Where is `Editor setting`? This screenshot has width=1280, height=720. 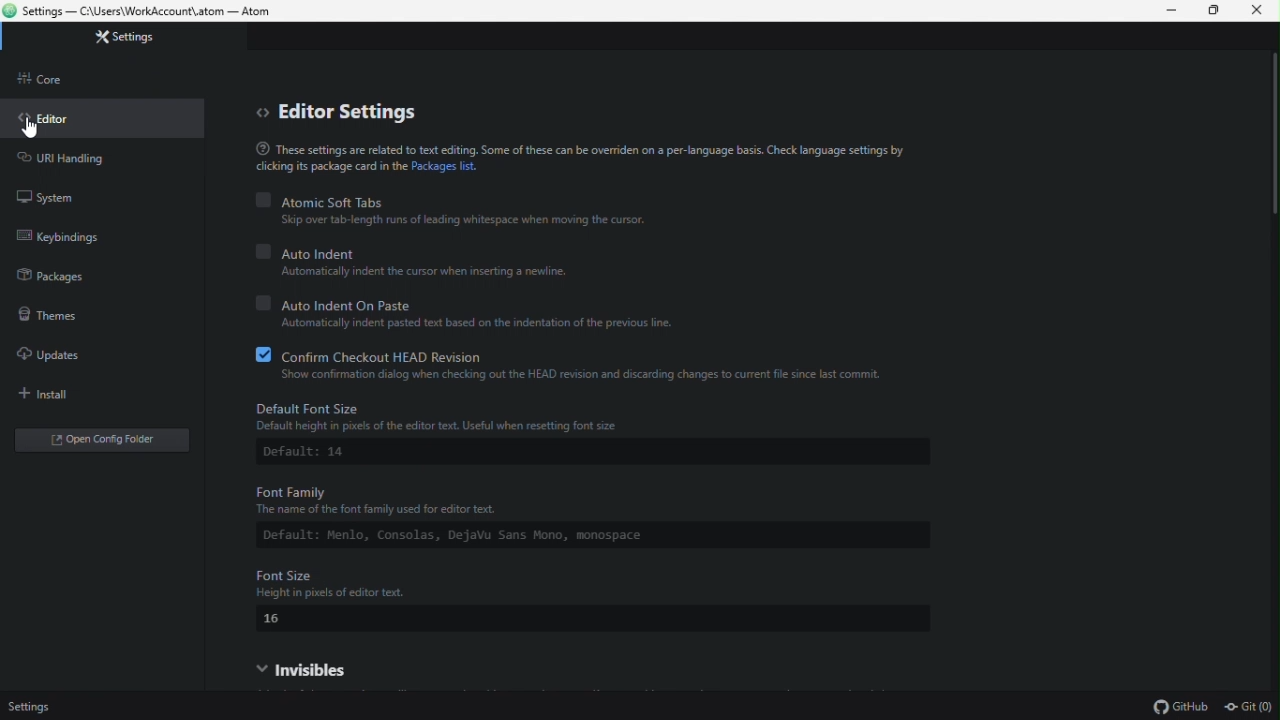
Editor setting is located at coordinates (343, 112).